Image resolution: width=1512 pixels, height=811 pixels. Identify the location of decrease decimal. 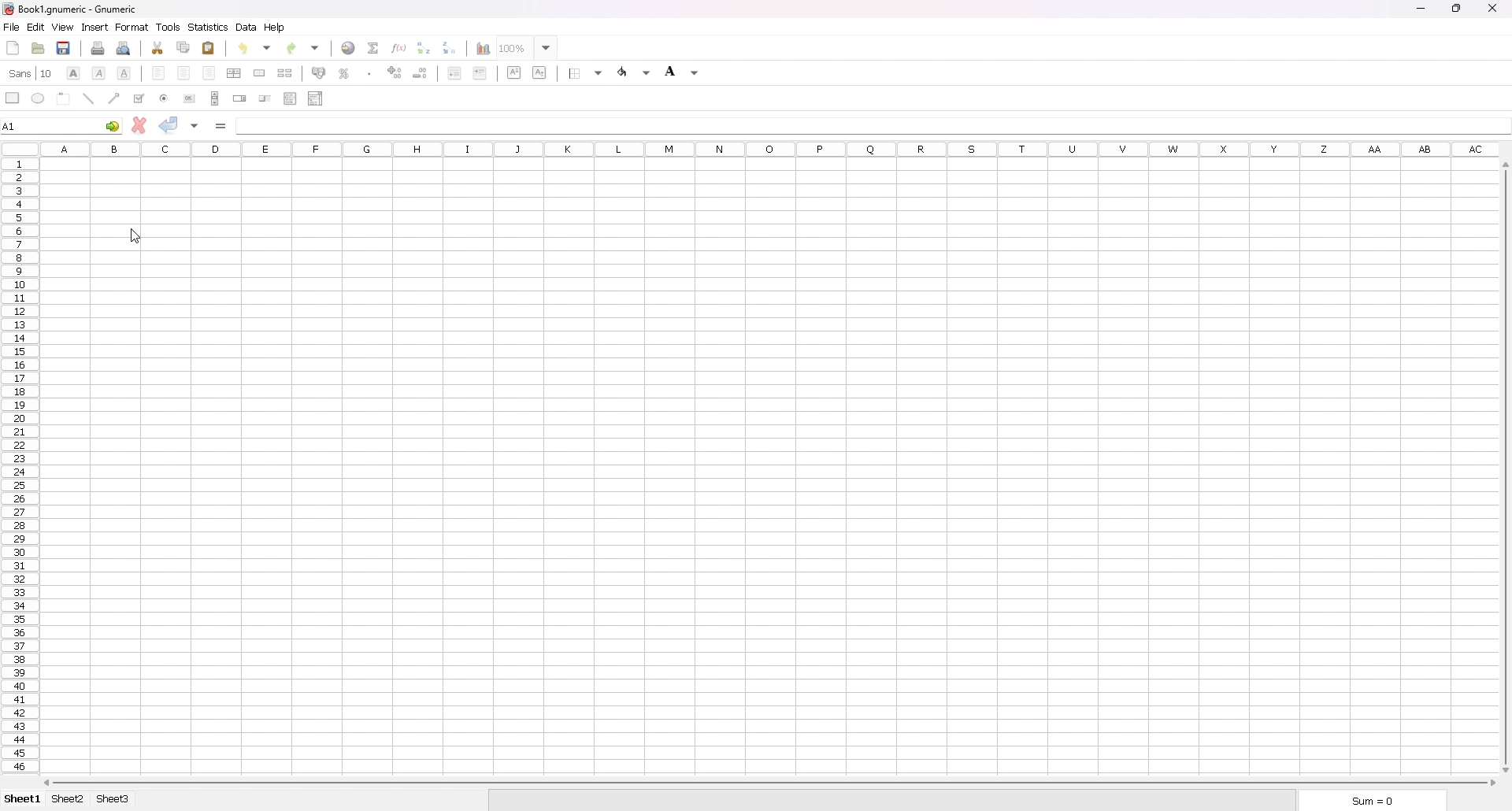
(421, 72).